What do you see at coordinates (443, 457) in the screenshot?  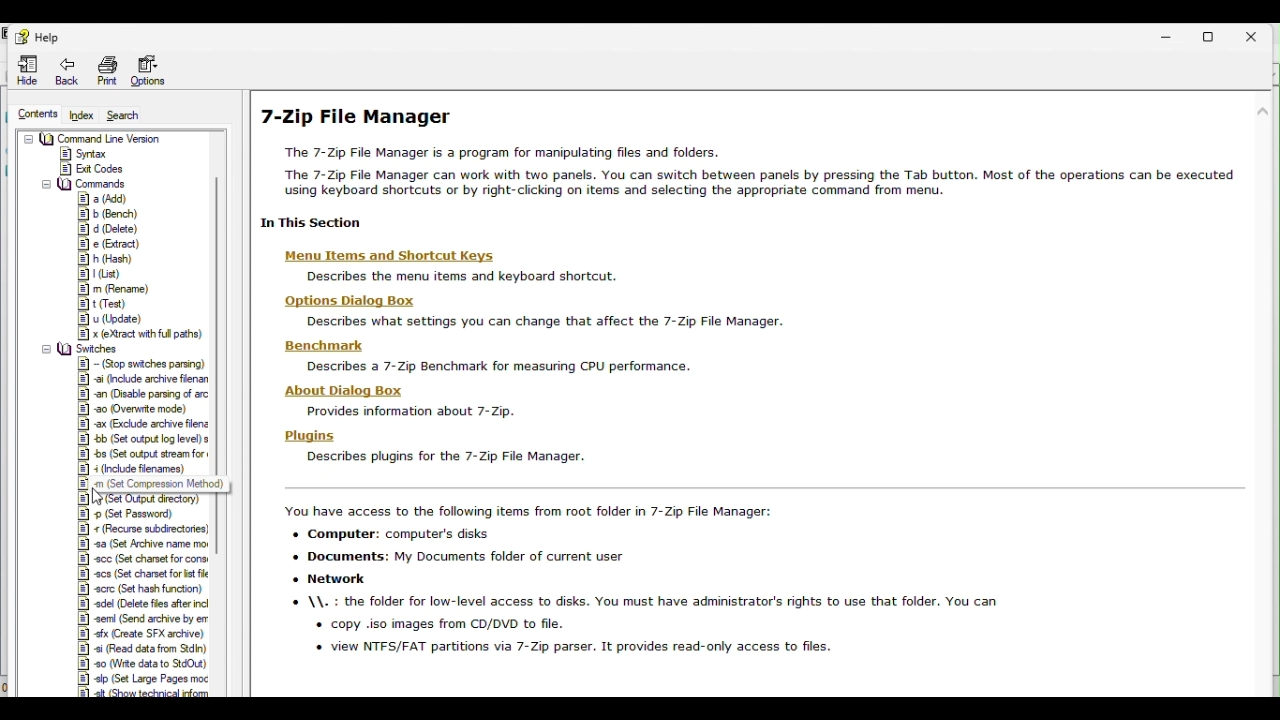 I see `description text` at bounding box center [443, 457].